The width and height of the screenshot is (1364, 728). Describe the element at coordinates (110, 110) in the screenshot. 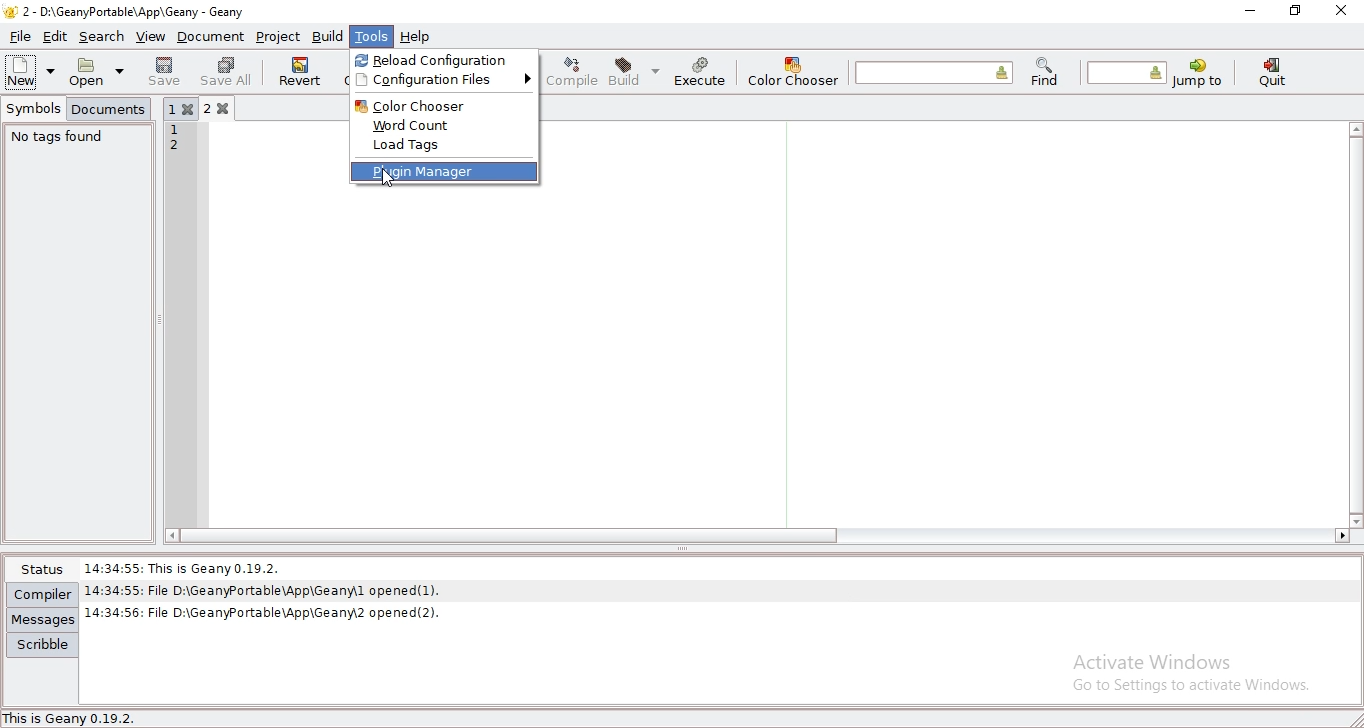

I see `documents` at that location.